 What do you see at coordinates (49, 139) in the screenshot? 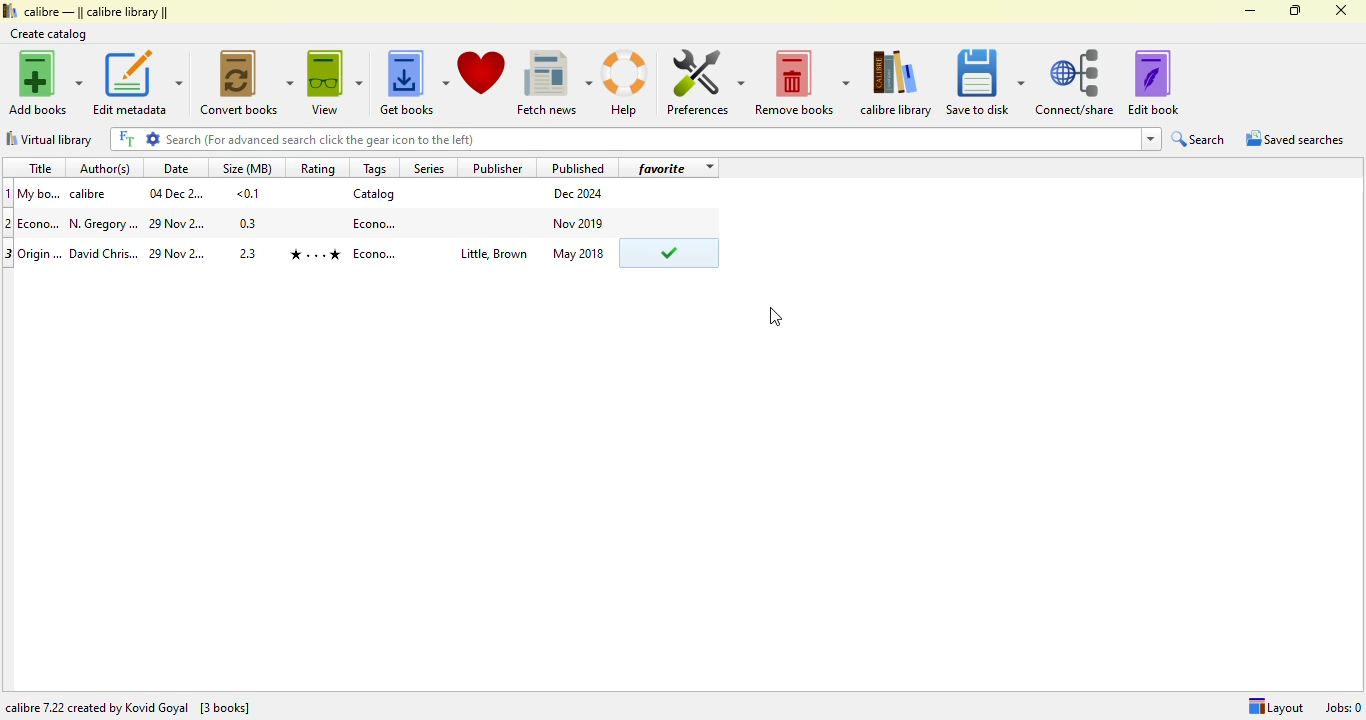
I see `virtual library` at bounding box center [49, 139].